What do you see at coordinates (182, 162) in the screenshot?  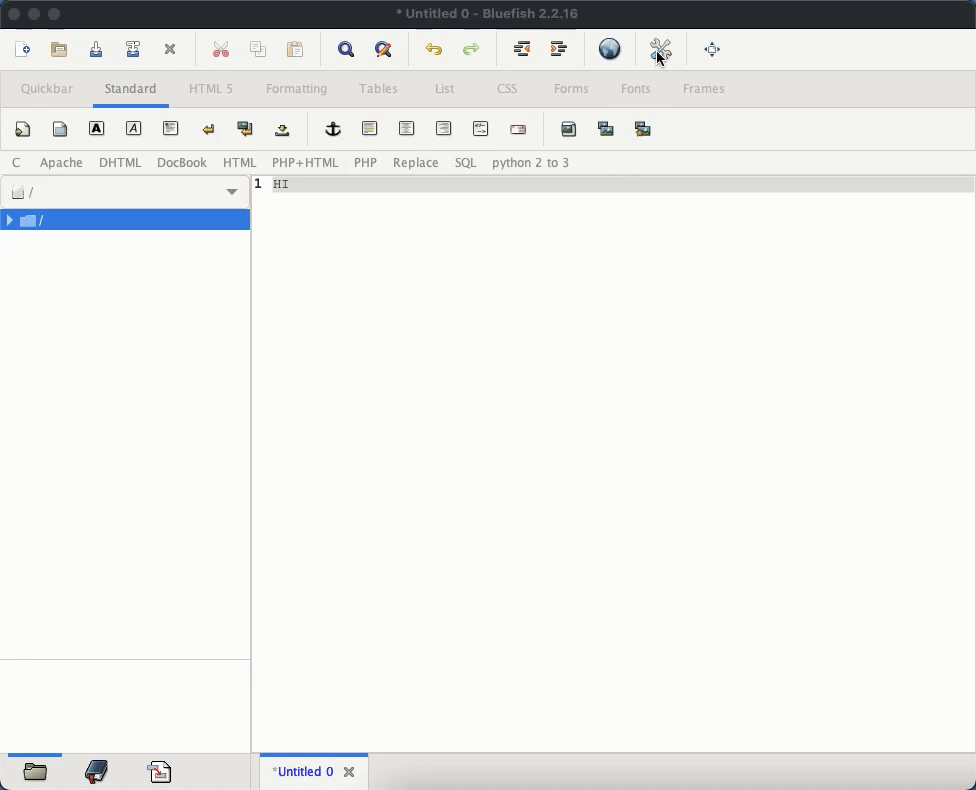 I see `DocBook` at bounding box center [182, 162].